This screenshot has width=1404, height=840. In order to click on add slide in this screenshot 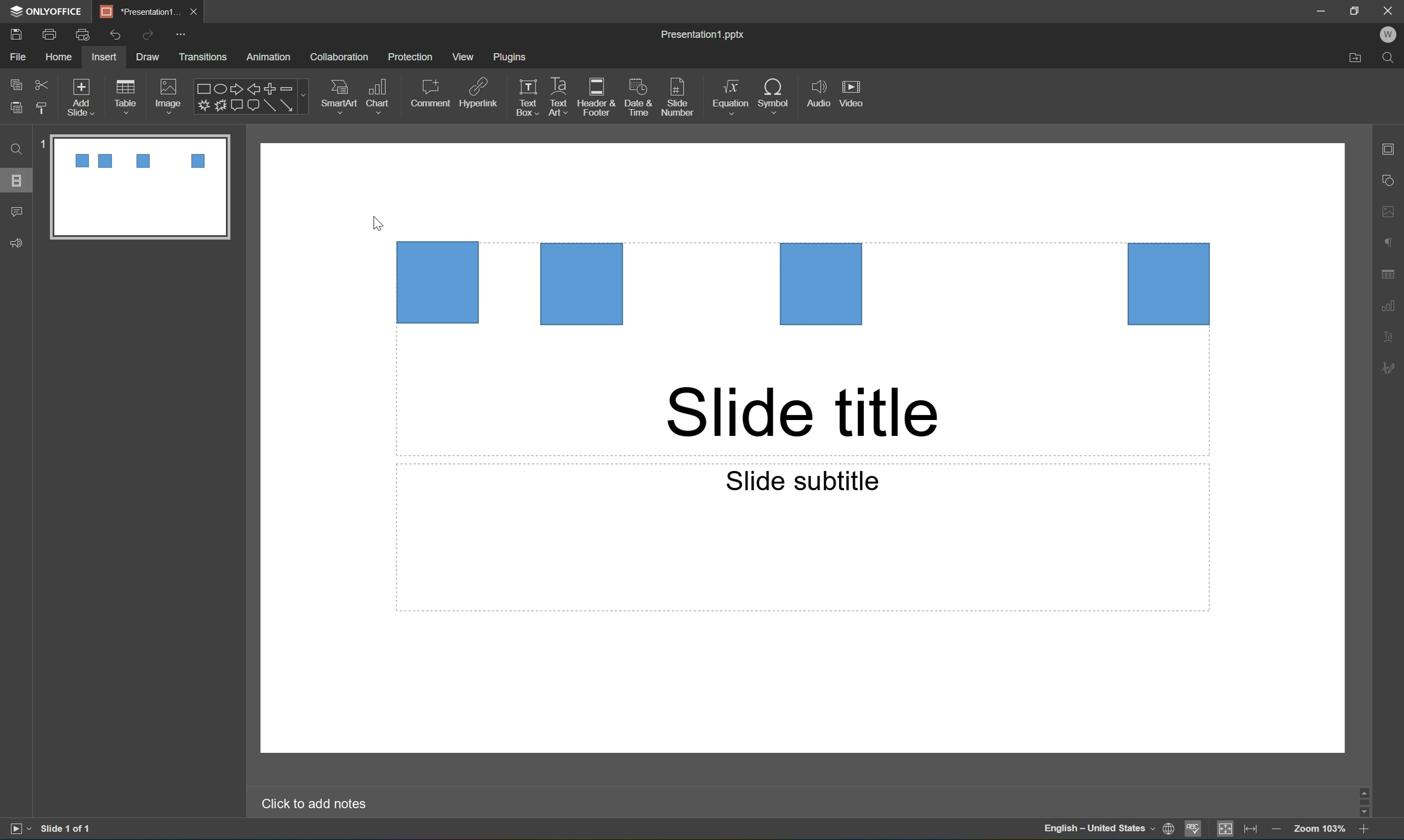, I will do `click(83, 95)`.